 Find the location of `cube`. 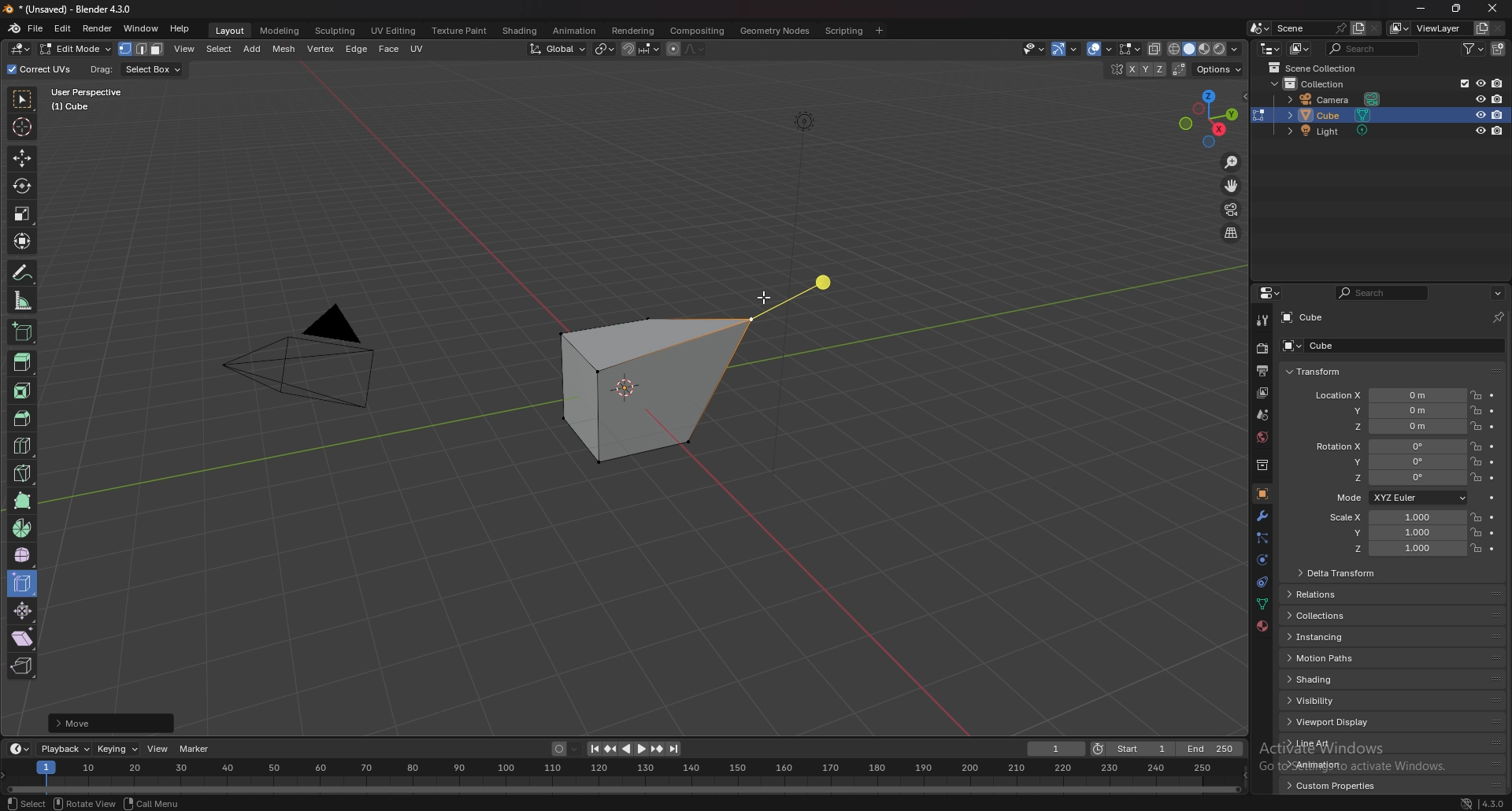

cube is located at coordinates (1381, 115).